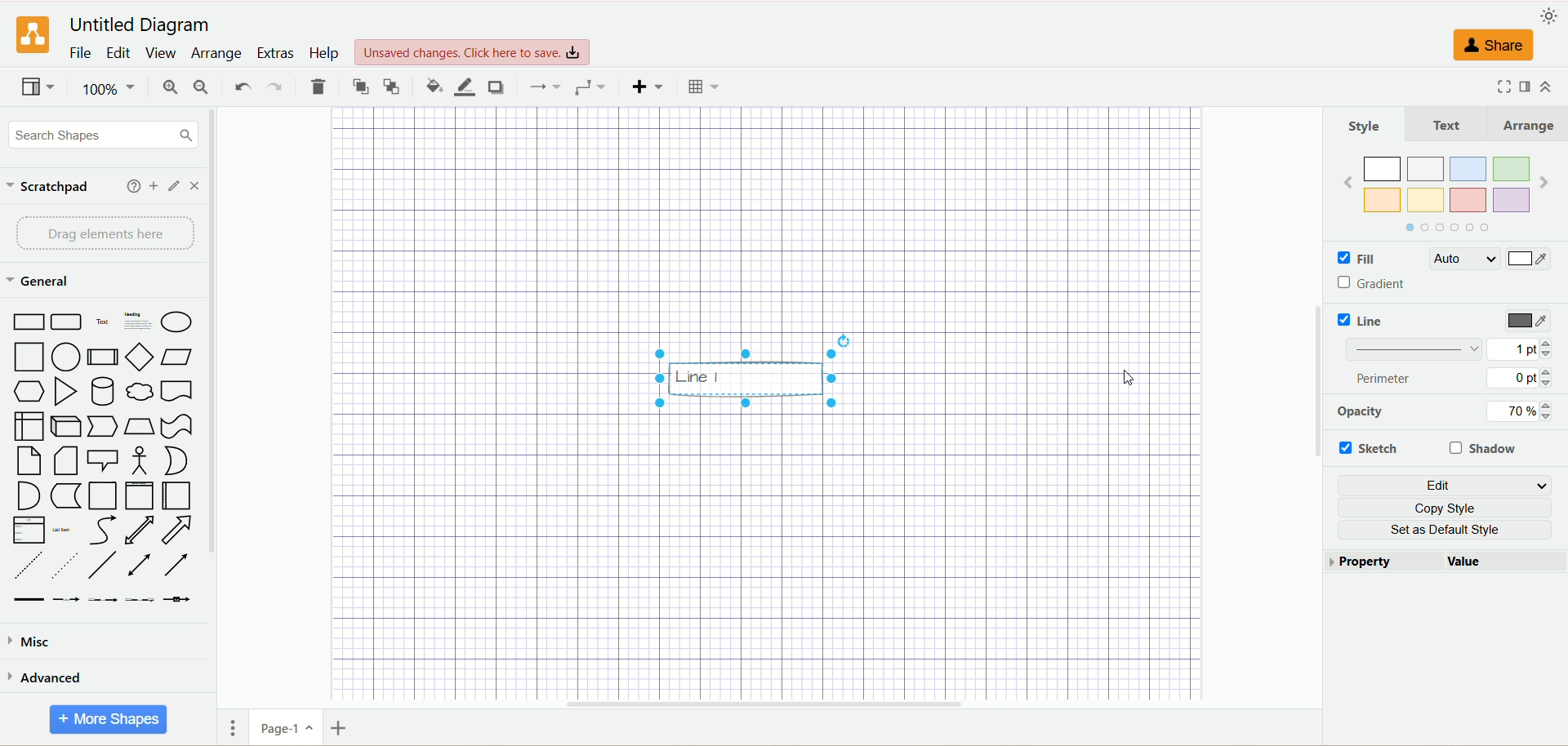 This screenshot has height=746, width=1568. Describe the element at coordinates (140, 531) in the screenshot. I see `Bidirectional Arrow` at that location.